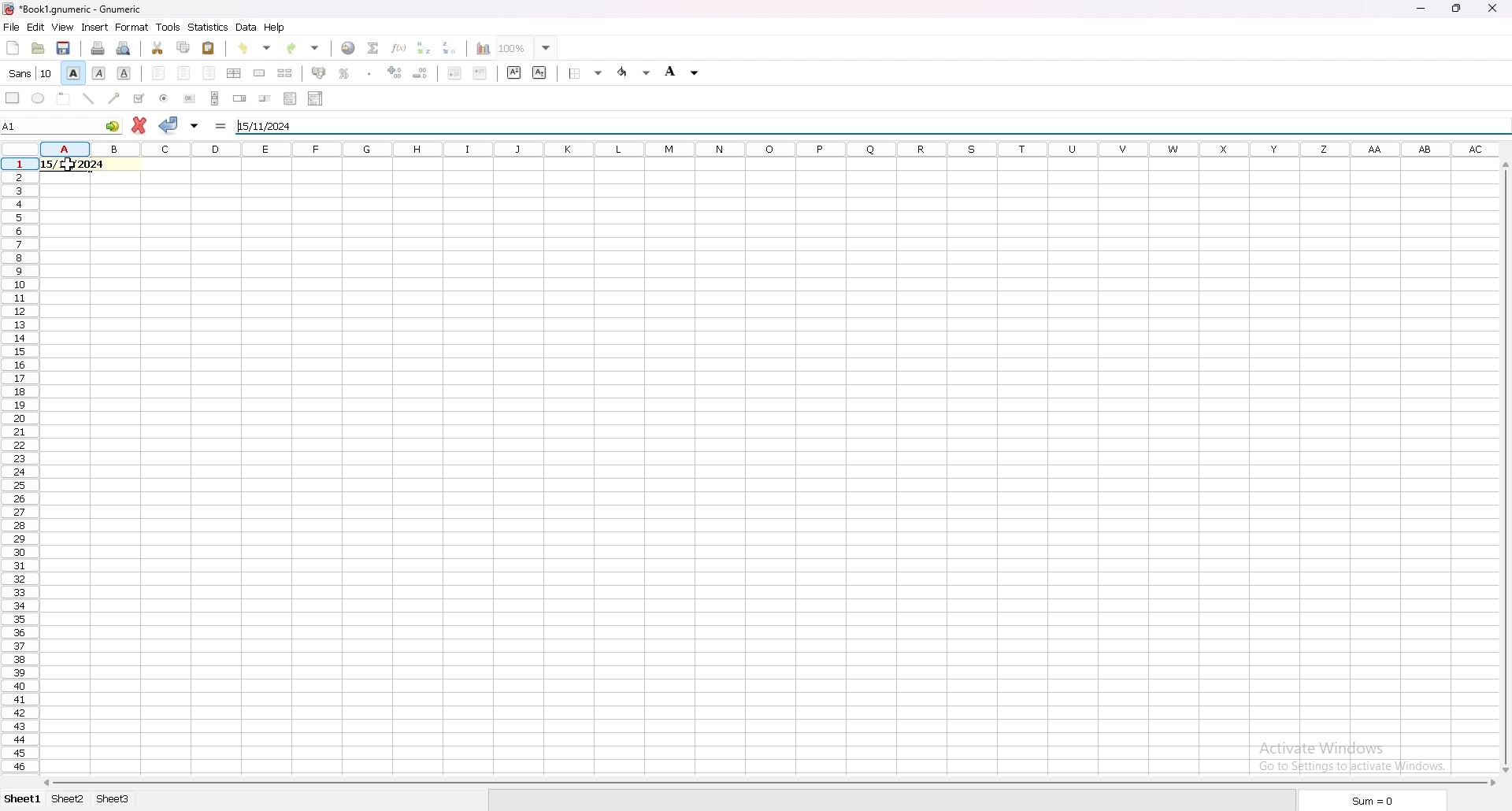 The height and width of the screenshot is (811, 1512). Describe the element at coordinates (158, 73) in the screenshot. I see `align left` at that location.